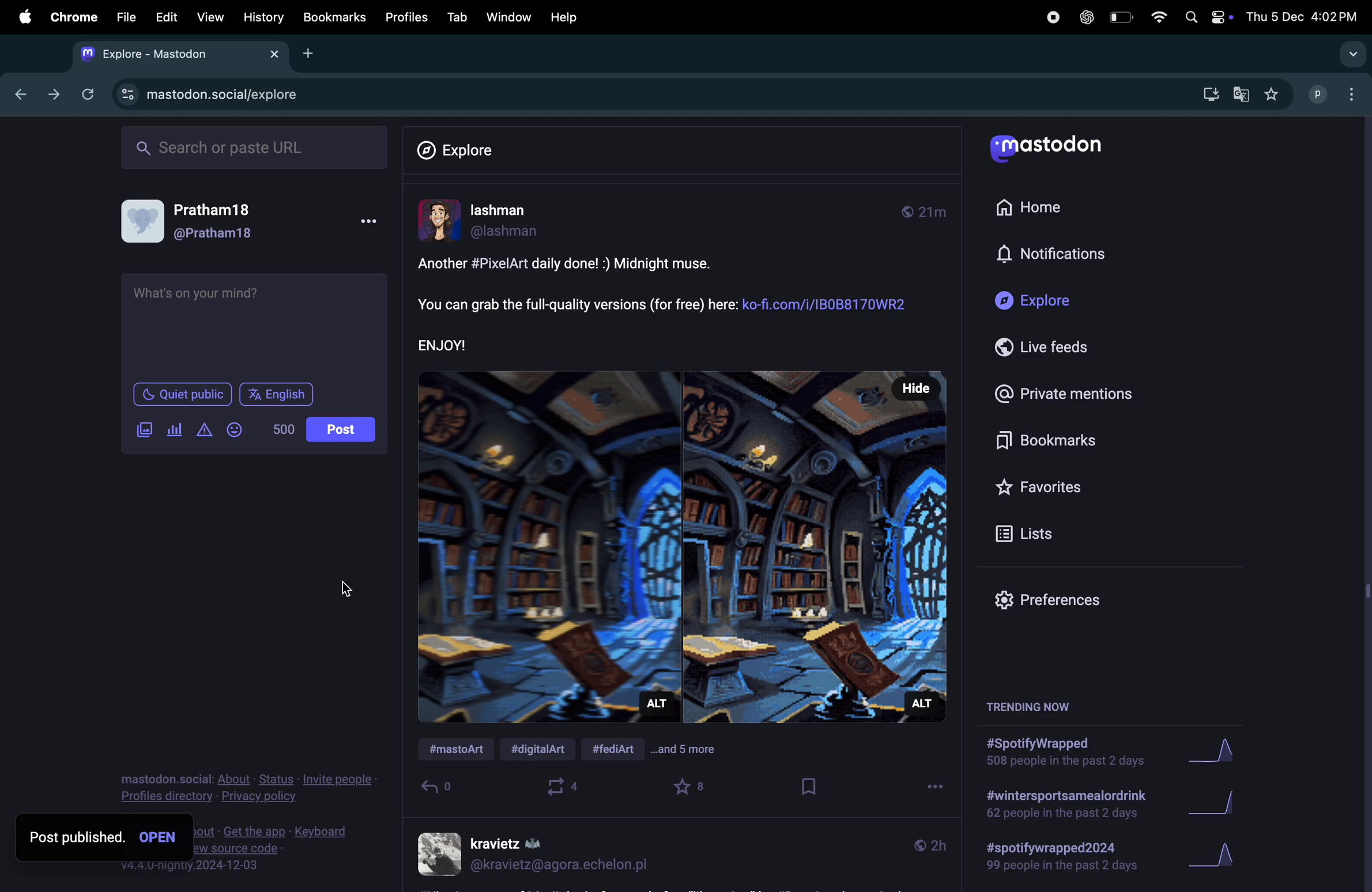 This screenshot has width=1372, height=892. What do you see at coordinates (1120, 16) in the screenshot?
I see `battery` at bounding box center [1120, 16].